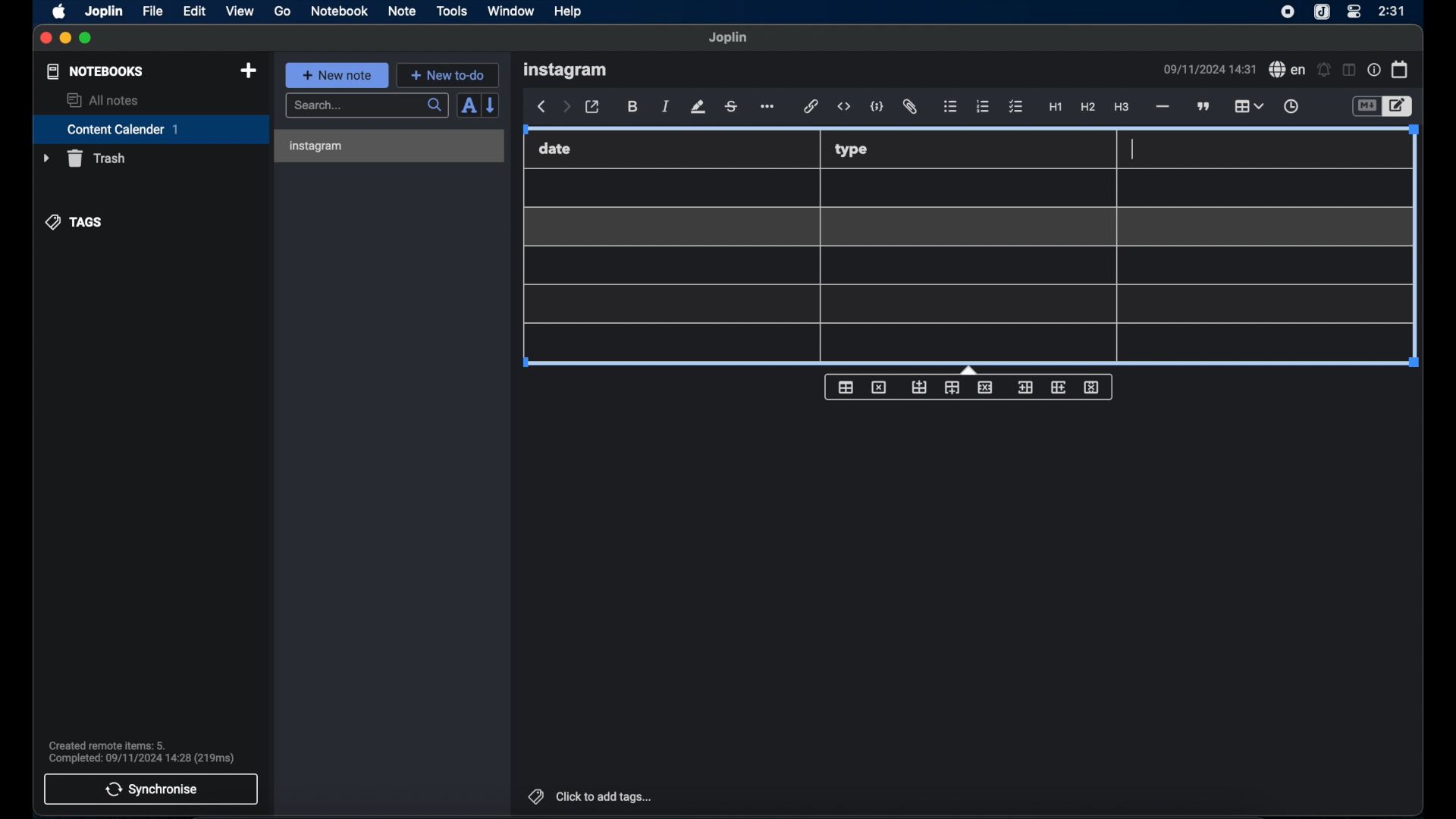 The width and height of the screenshot is (1456, 819). I want to click on insert column before, so click(1025, 388).